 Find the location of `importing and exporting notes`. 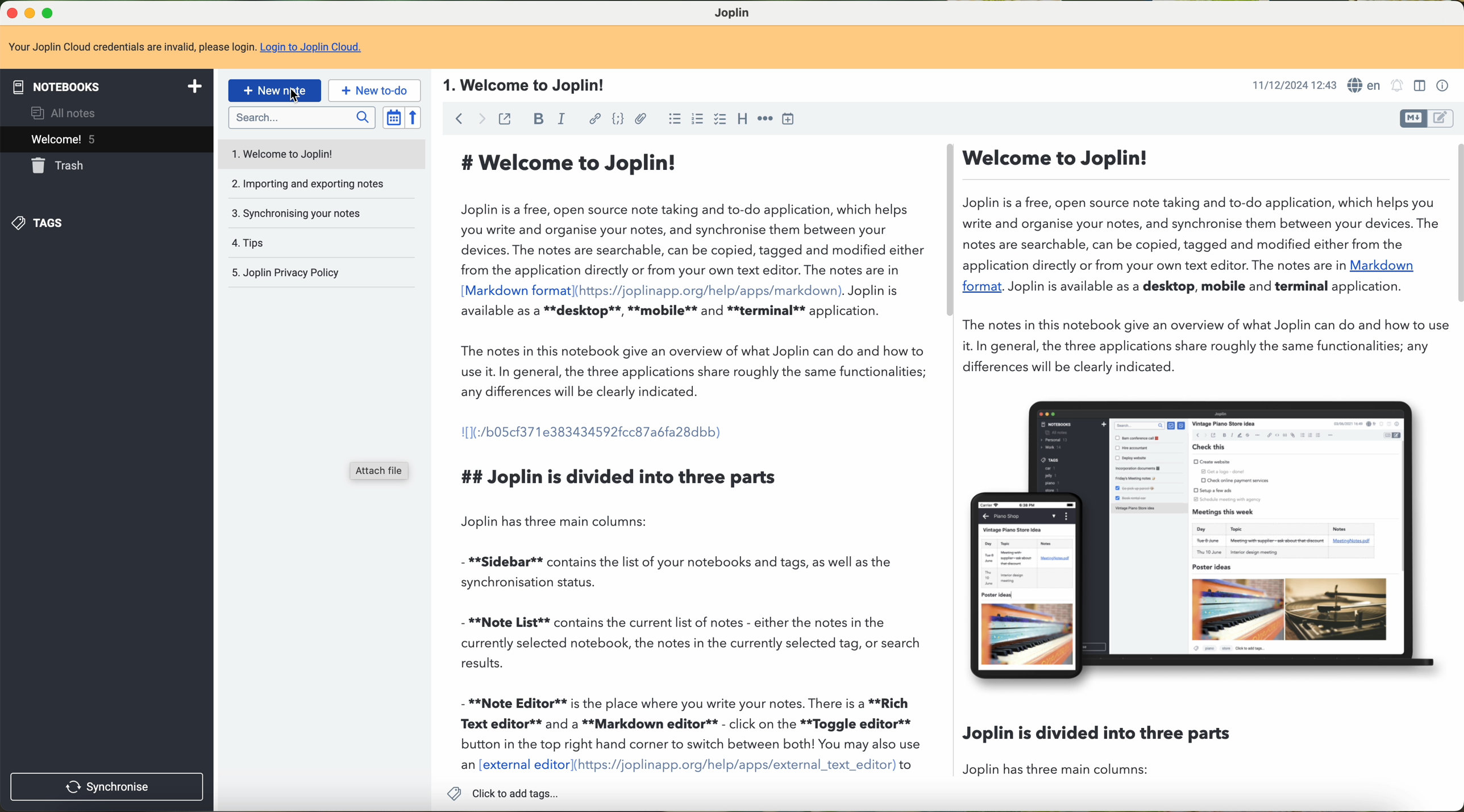

importing and exporting notes is located at coordinates (306, 184).